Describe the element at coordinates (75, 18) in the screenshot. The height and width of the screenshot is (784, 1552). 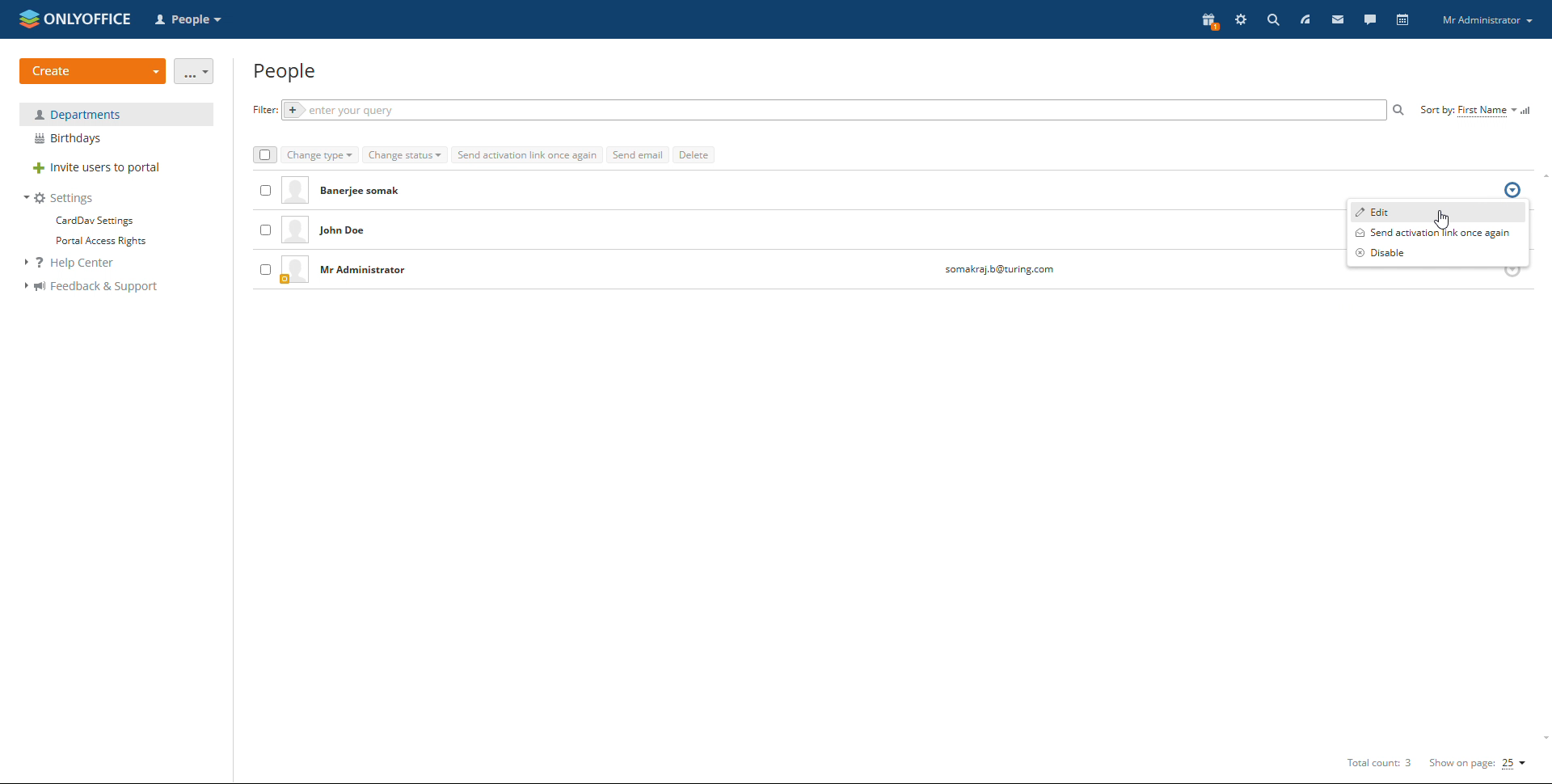
I see `logo` at that location.